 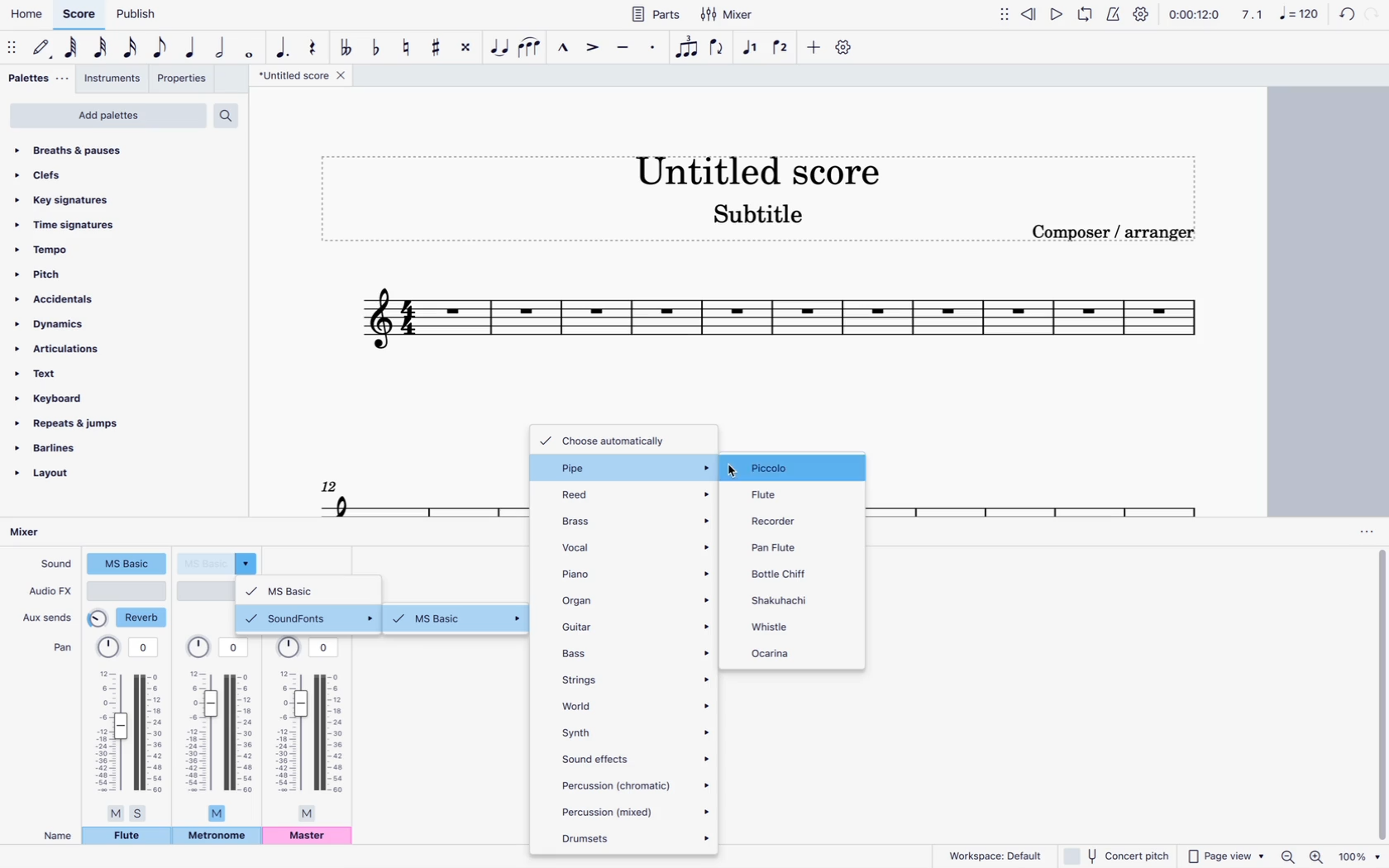 What do you see at coordinates (131, 48) in the screenshot?
I see `16th note` at bounding box center [131, 48].